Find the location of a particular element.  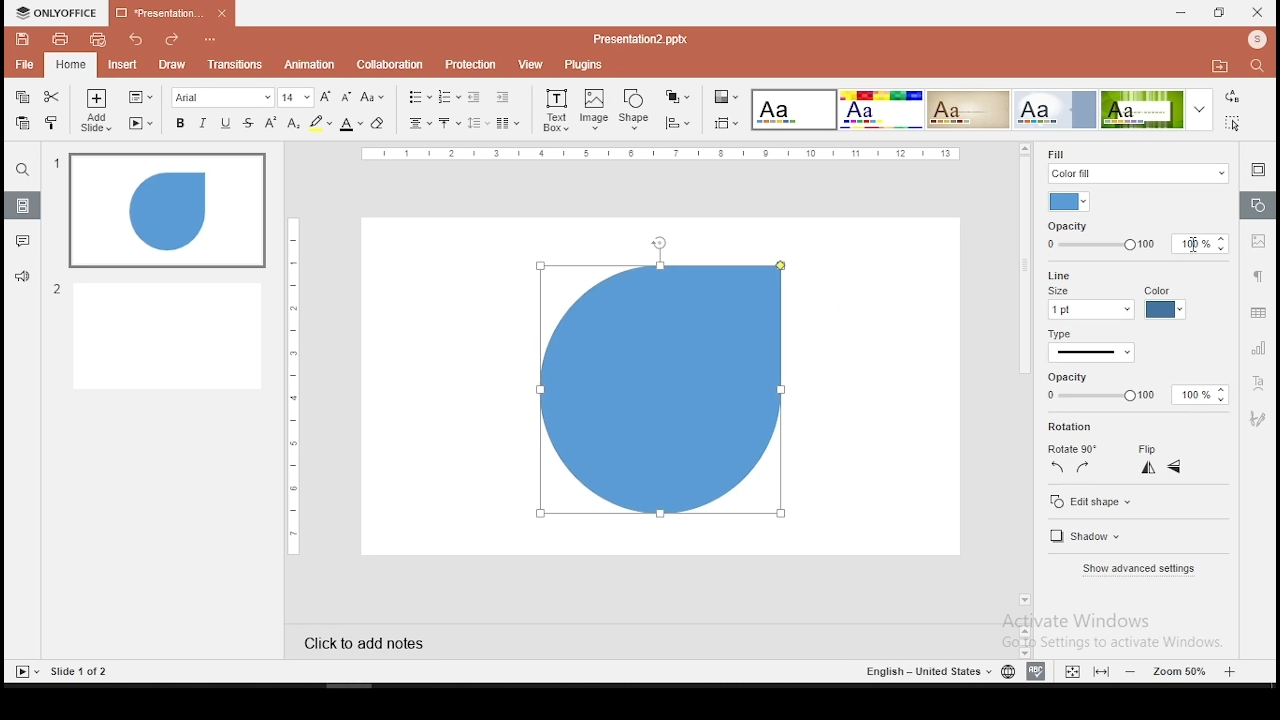

replace is located at coordinates (1232, 99).